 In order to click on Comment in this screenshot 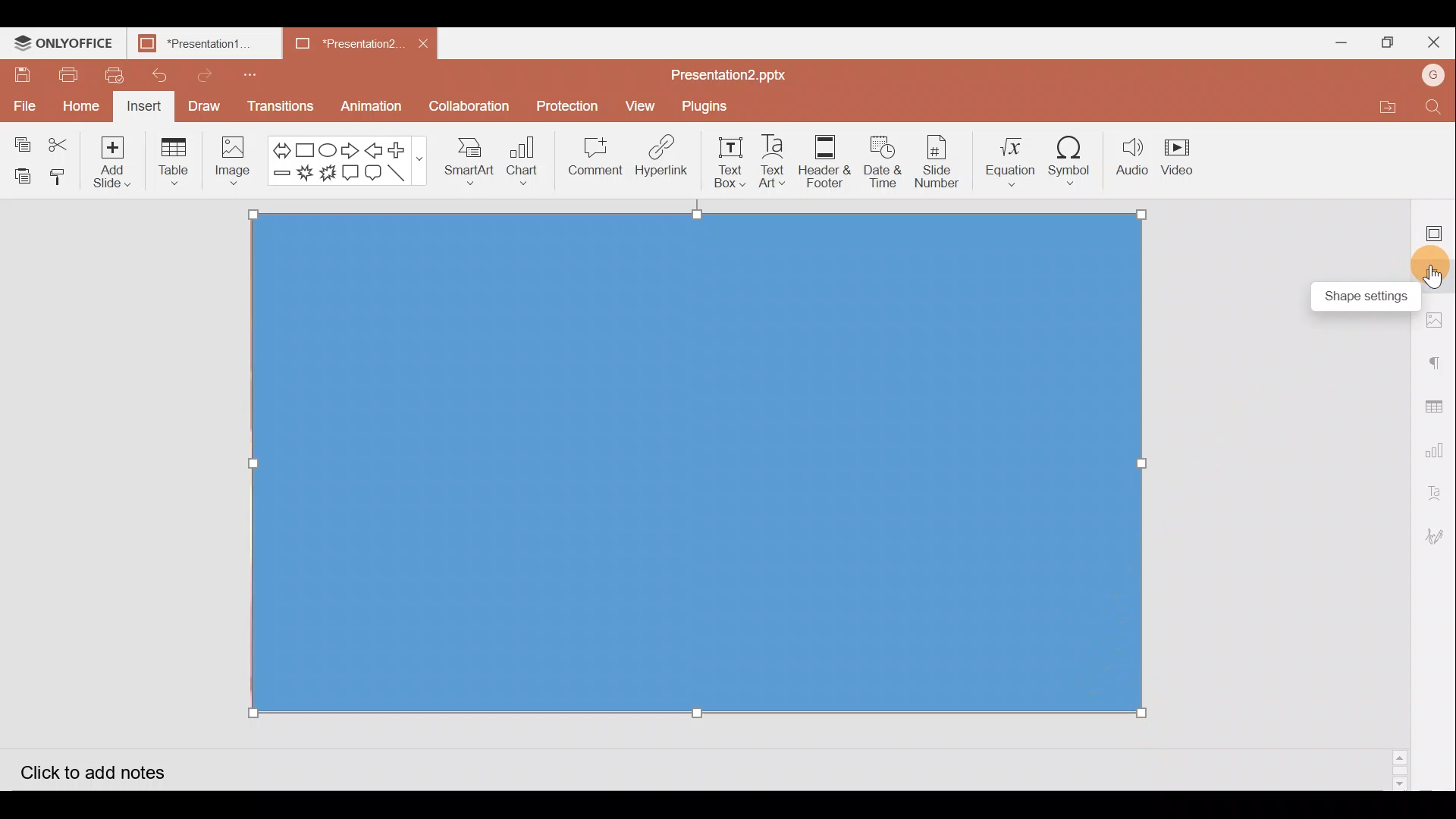, I will do `click(592, 157)`.